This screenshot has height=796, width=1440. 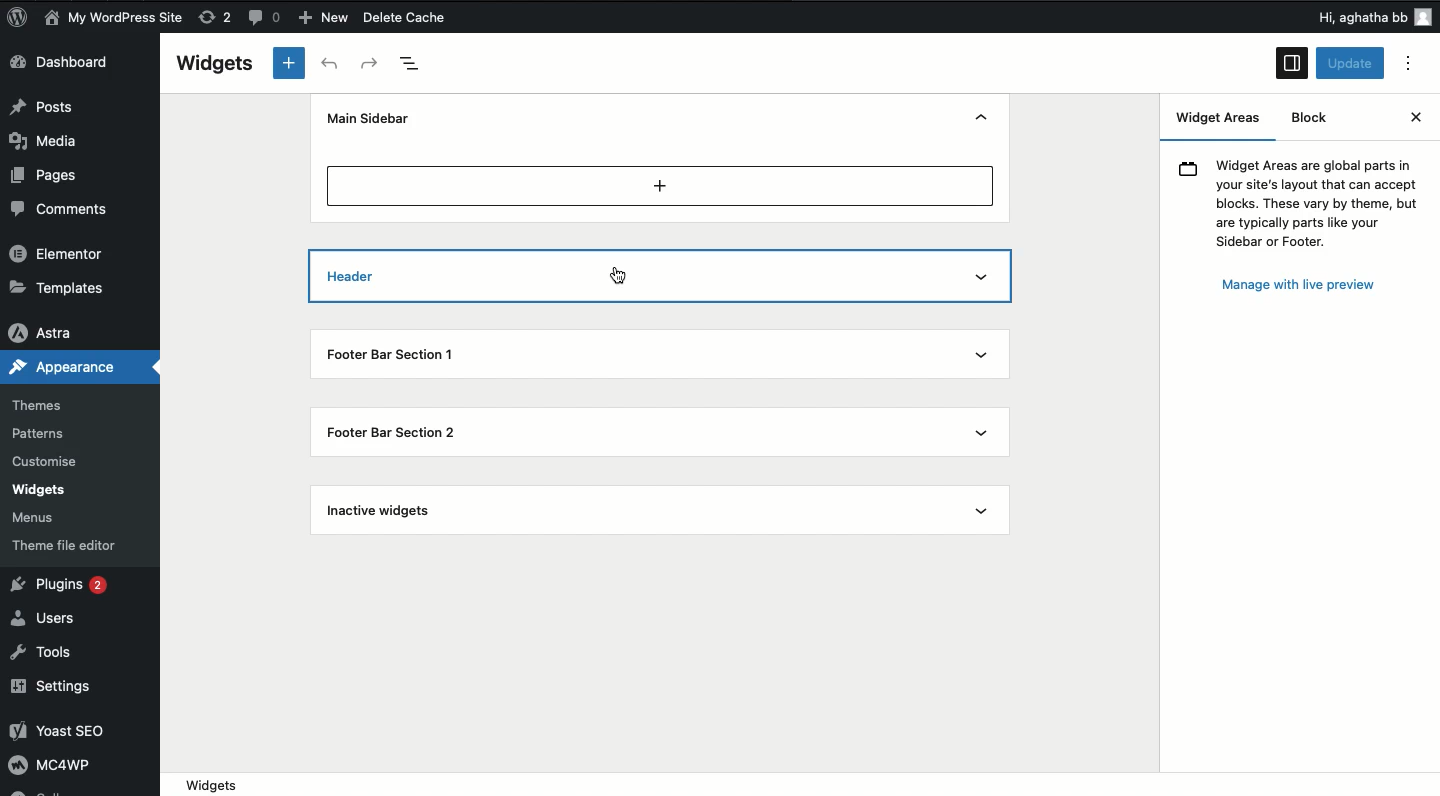 I want to click on Main sidebar, so click(x=373, y=118).